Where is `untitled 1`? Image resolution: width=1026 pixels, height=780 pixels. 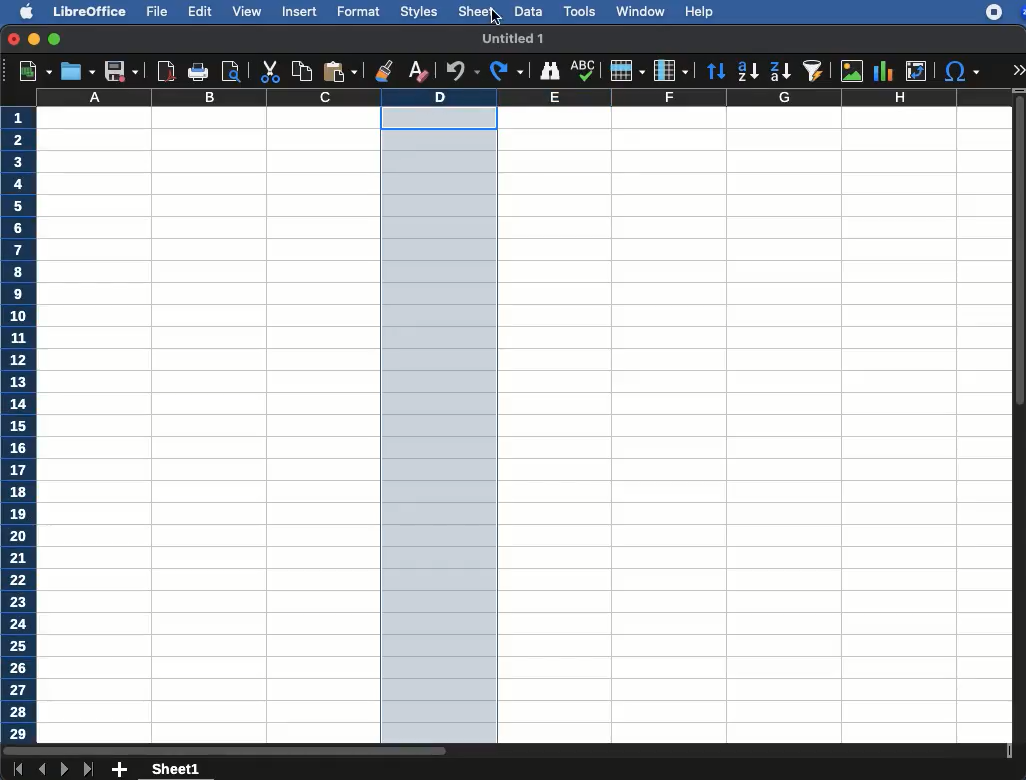
untitled 1 is located at coordinates (512, 37).